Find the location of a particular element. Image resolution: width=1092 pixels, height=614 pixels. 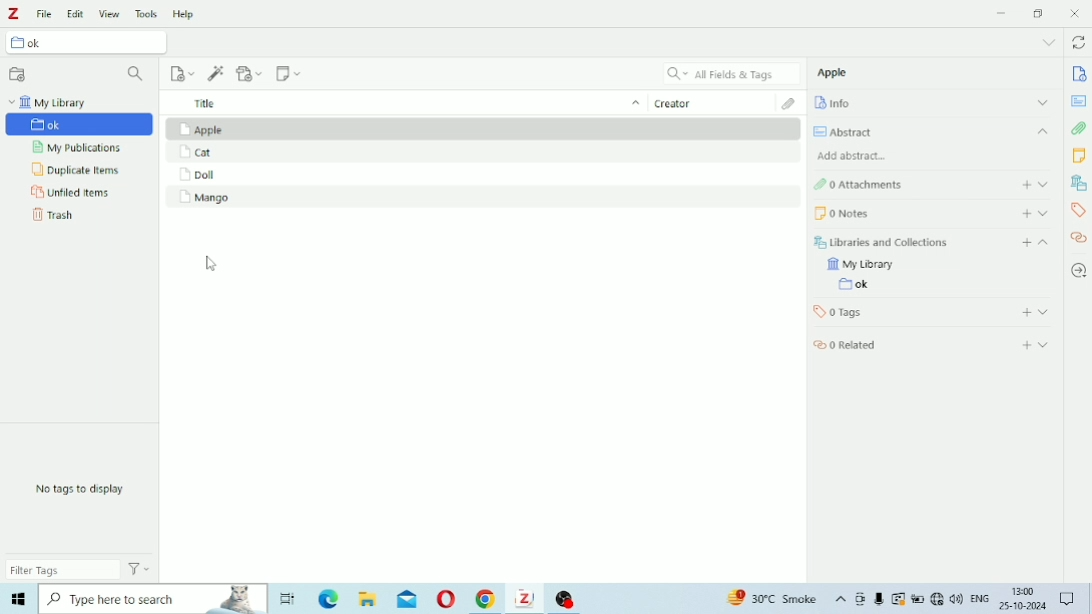

Related is located at coordinates (1079, 236).